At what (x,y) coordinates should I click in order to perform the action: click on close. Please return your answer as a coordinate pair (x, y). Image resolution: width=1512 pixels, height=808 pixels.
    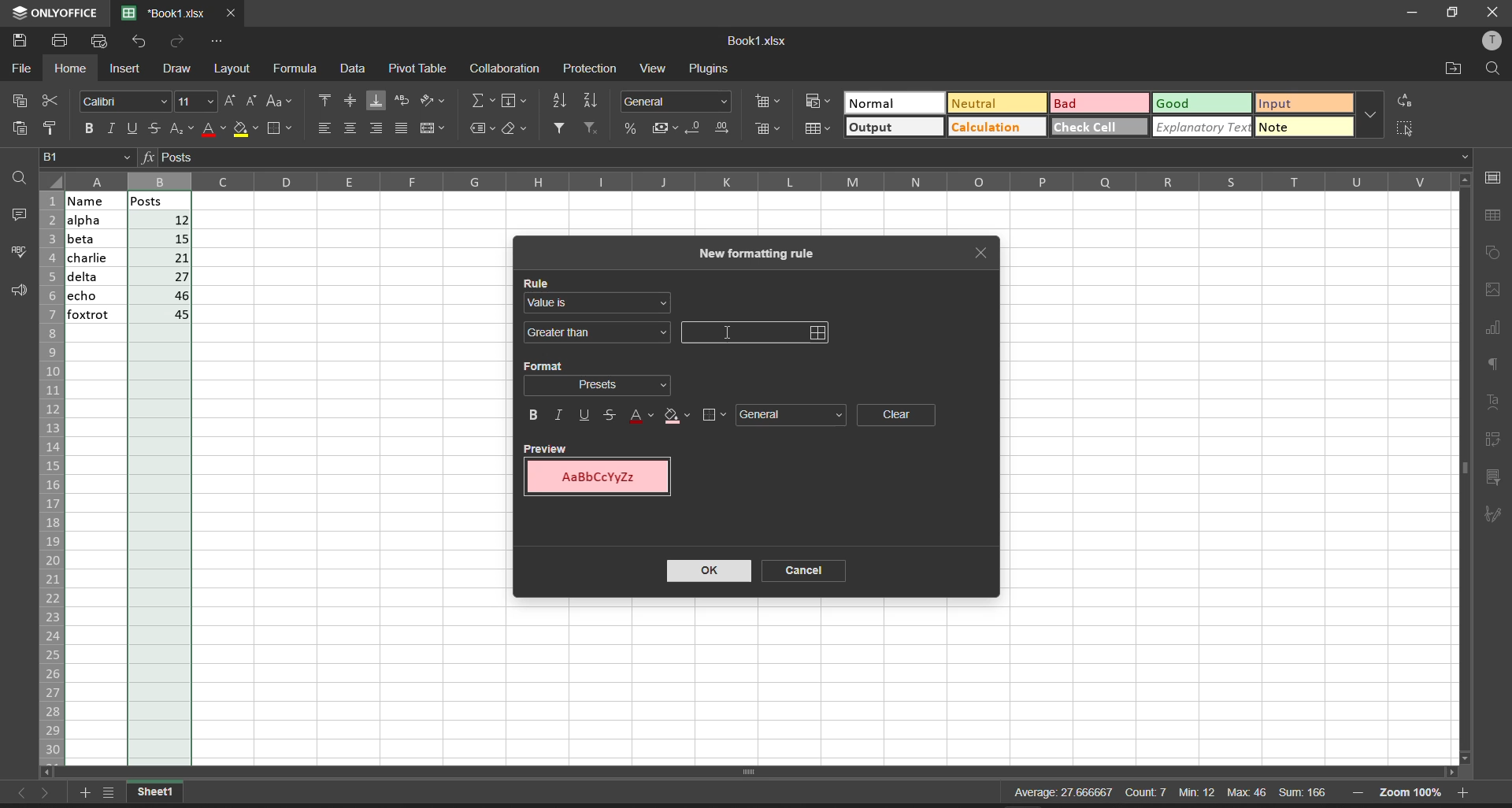
    Looking at the image, I should click on (1496, 12).